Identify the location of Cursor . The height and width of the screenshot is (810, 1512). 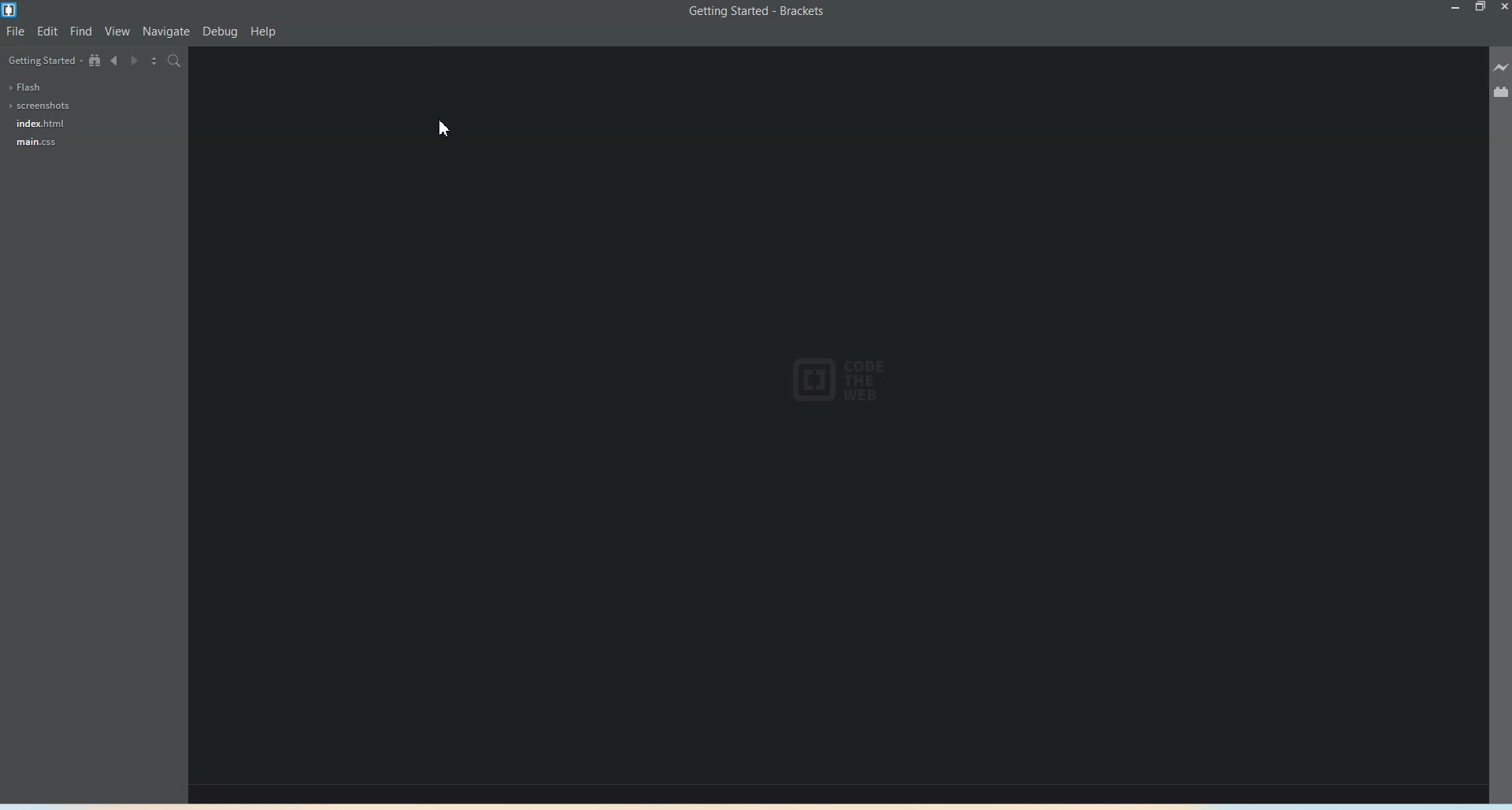
(445, 127).